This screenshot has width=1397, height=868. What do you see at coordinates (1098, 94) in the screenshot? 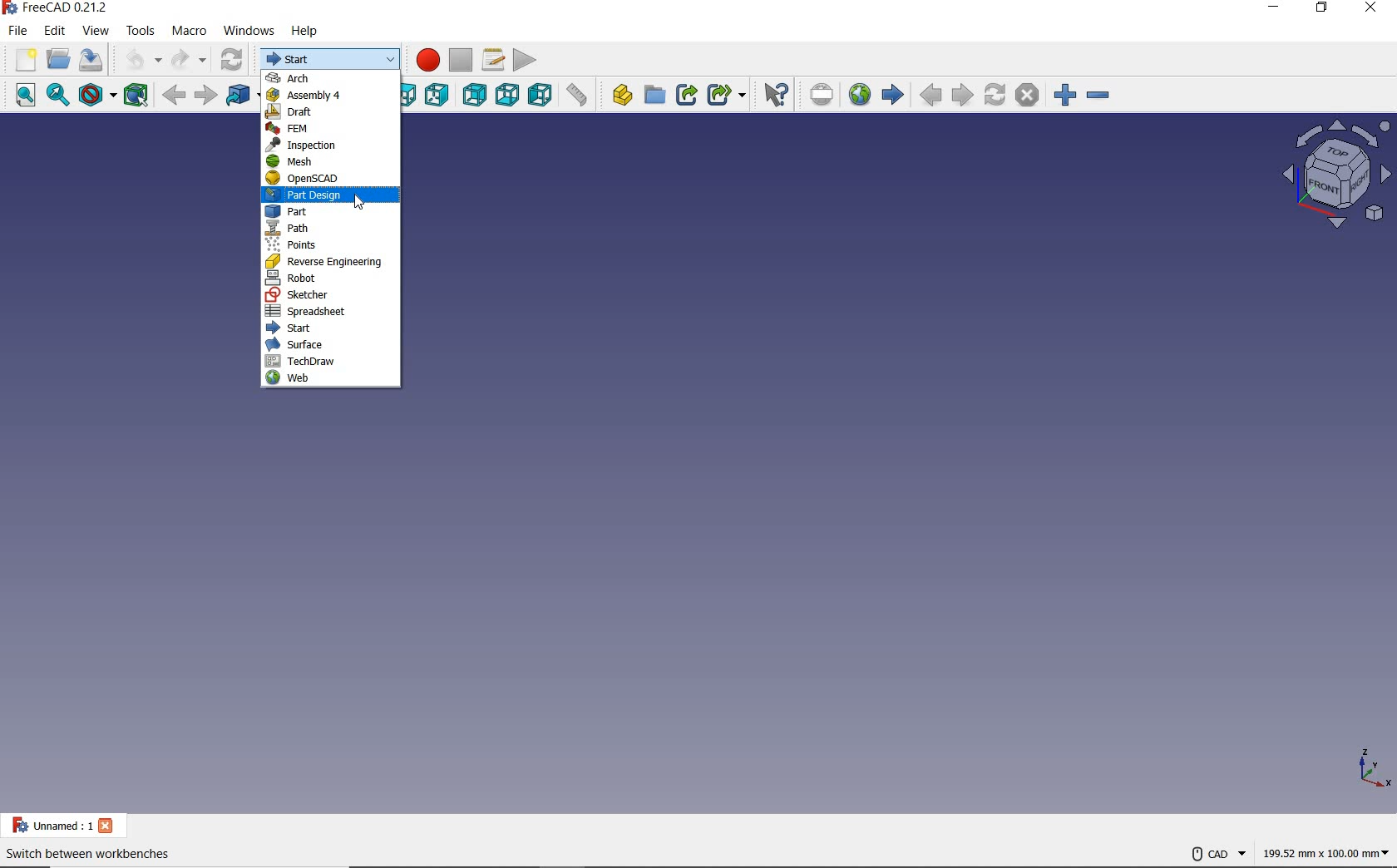
I see `ZOOM OUT` at bounding box center [1098, 94].